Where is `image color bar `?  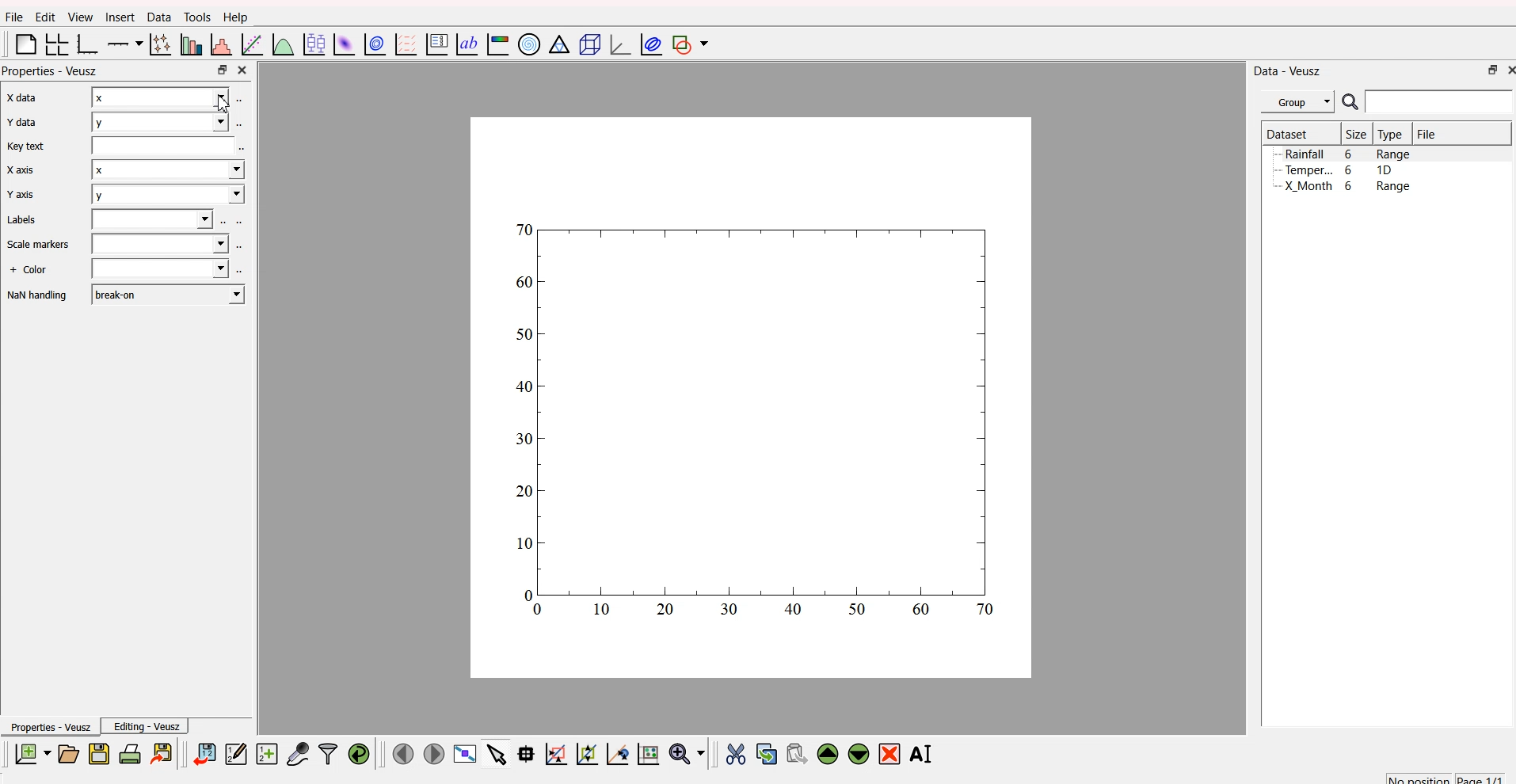 image color bar  is located at coordinates (497, 44).